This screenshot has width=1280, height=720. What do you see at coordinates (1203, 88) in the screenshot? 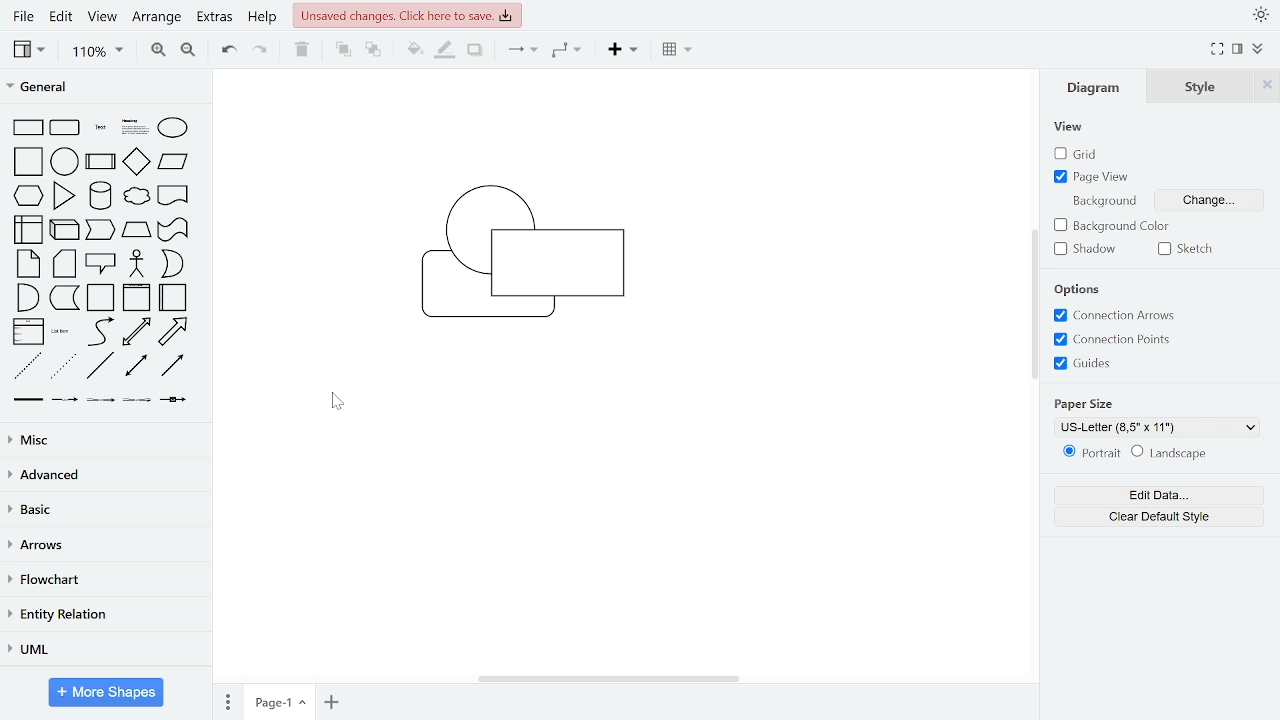
I see `style` at bounding box center [1203, 88].